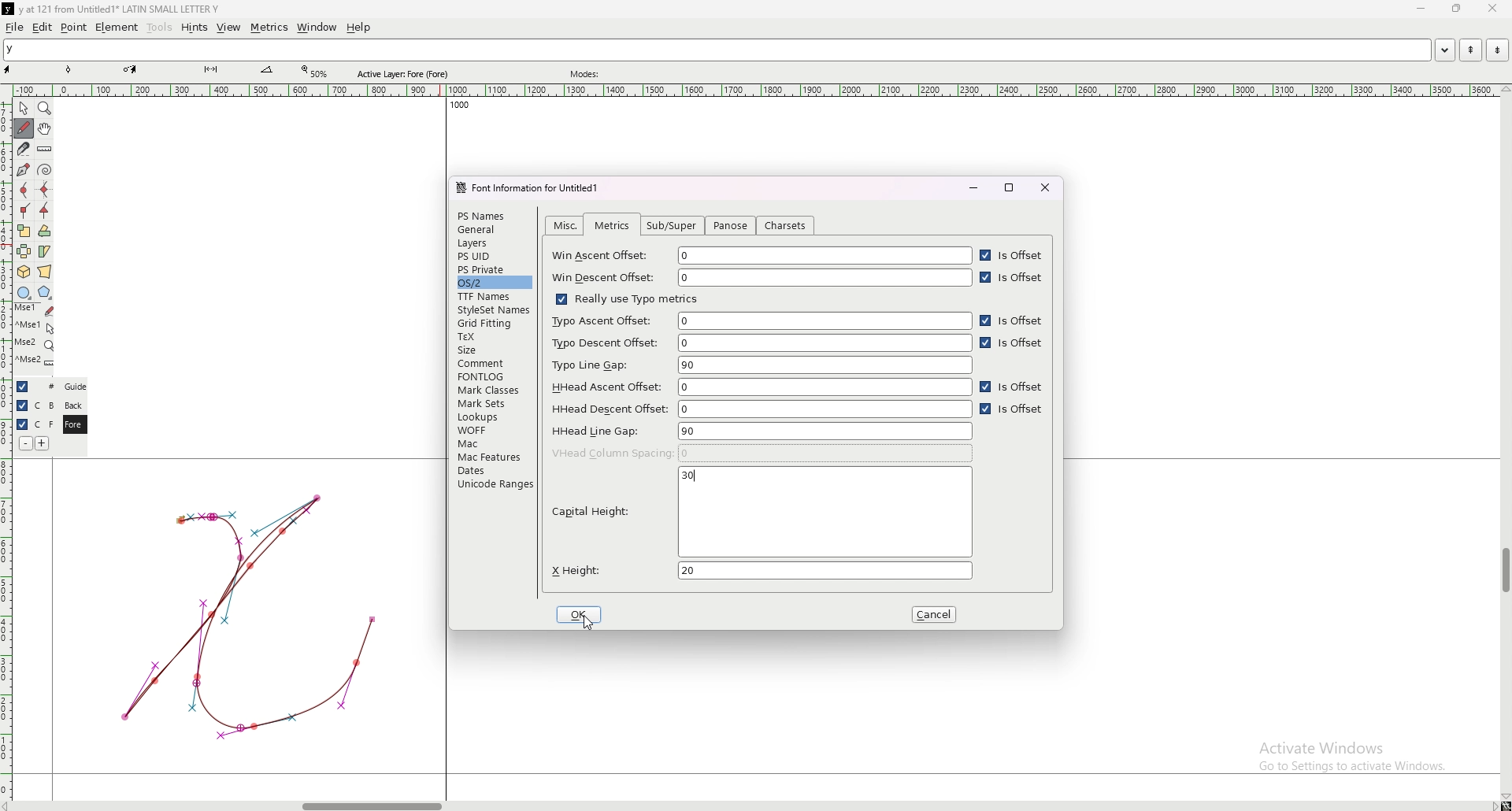 This screenshot has height=811, width=1512. Describe the element at coordinates (372, 802) in the screenshot. I see `scroll bar horizontal` at that location.